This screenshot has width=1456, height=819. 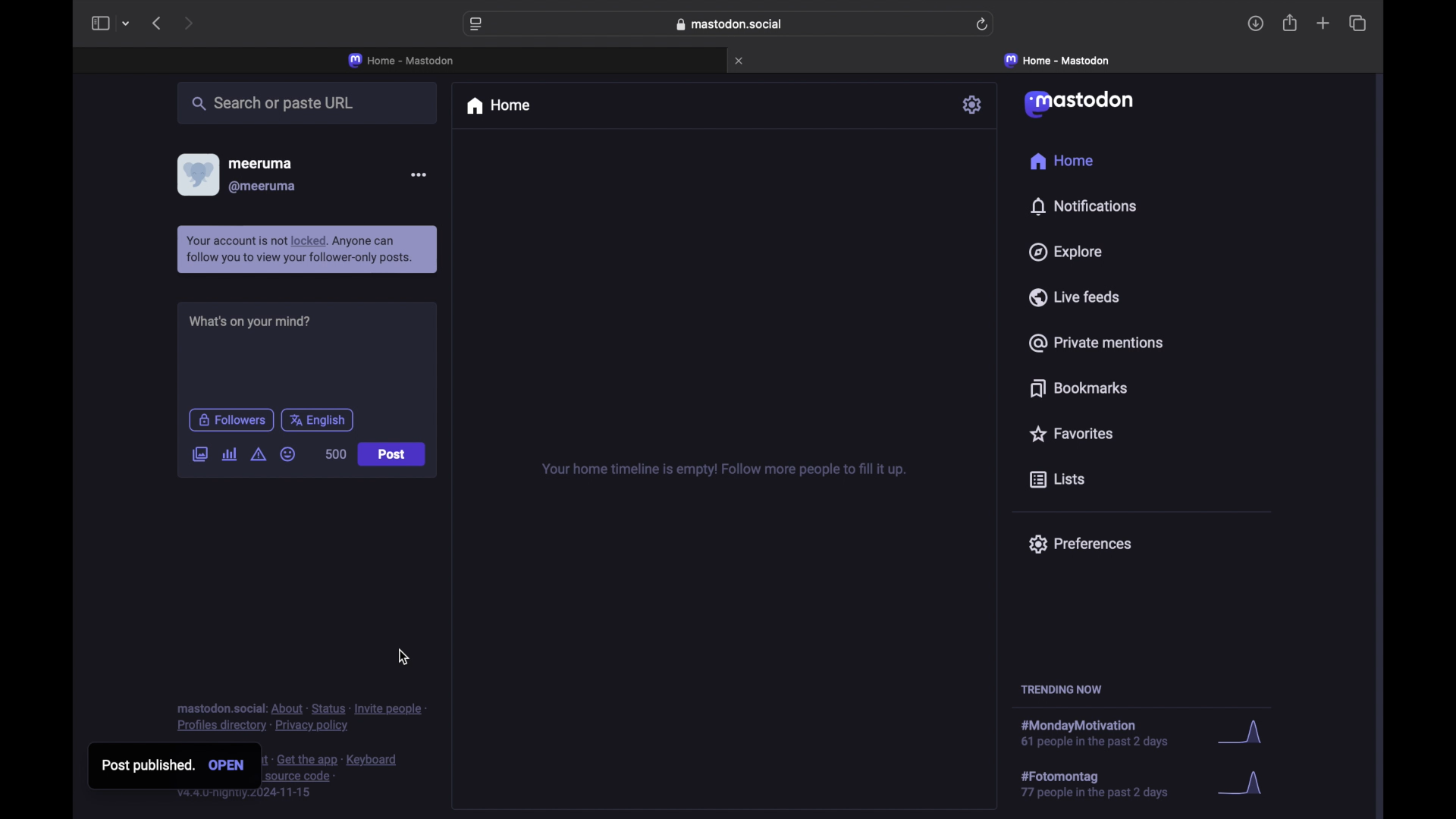 What do you see at coordinates (197, 174) in the screenshot?
I see `profile picture` at bounding box center [197, 174].